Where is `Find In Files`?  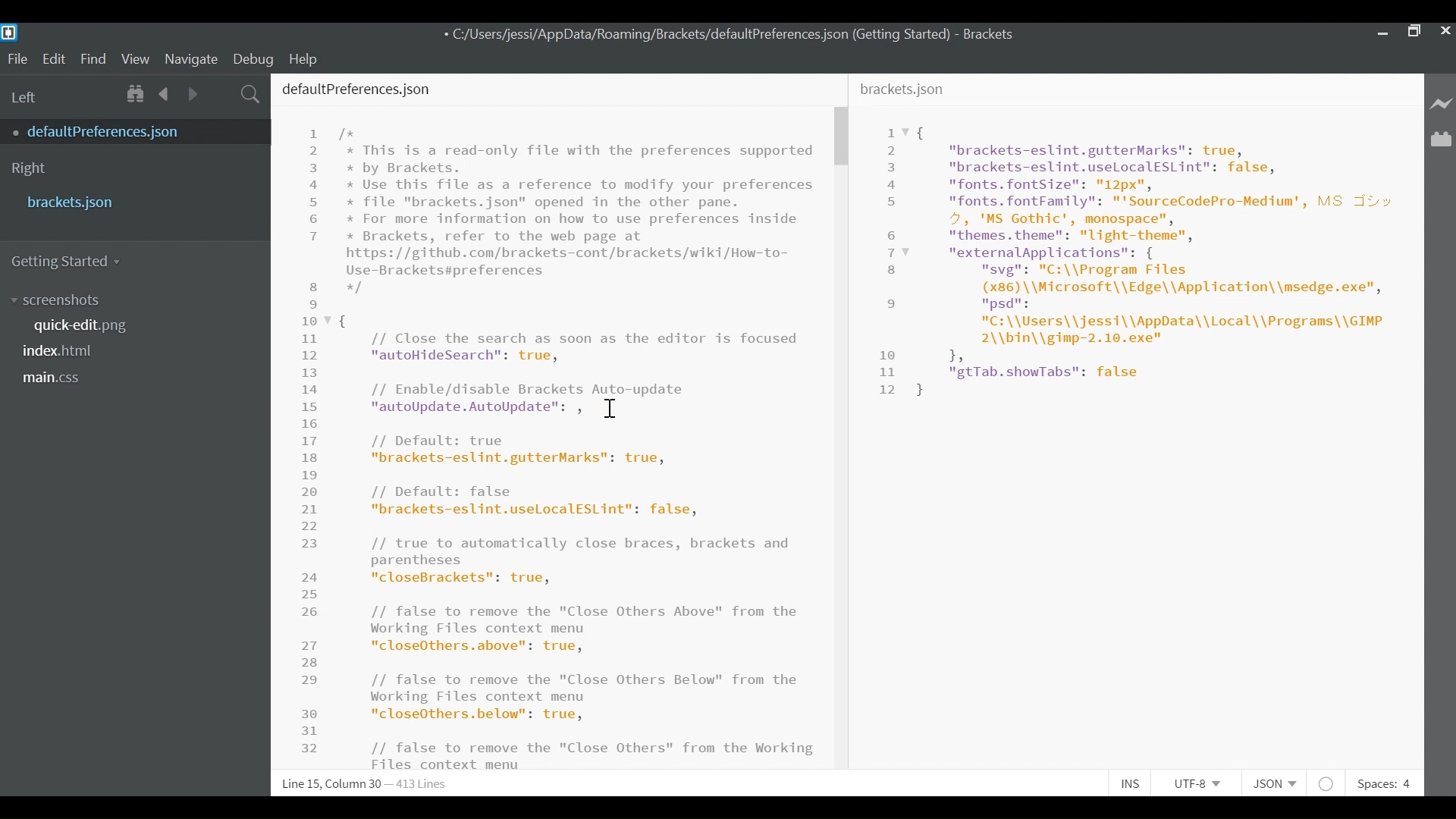
Find In Files is located at coordinates (251, 93).